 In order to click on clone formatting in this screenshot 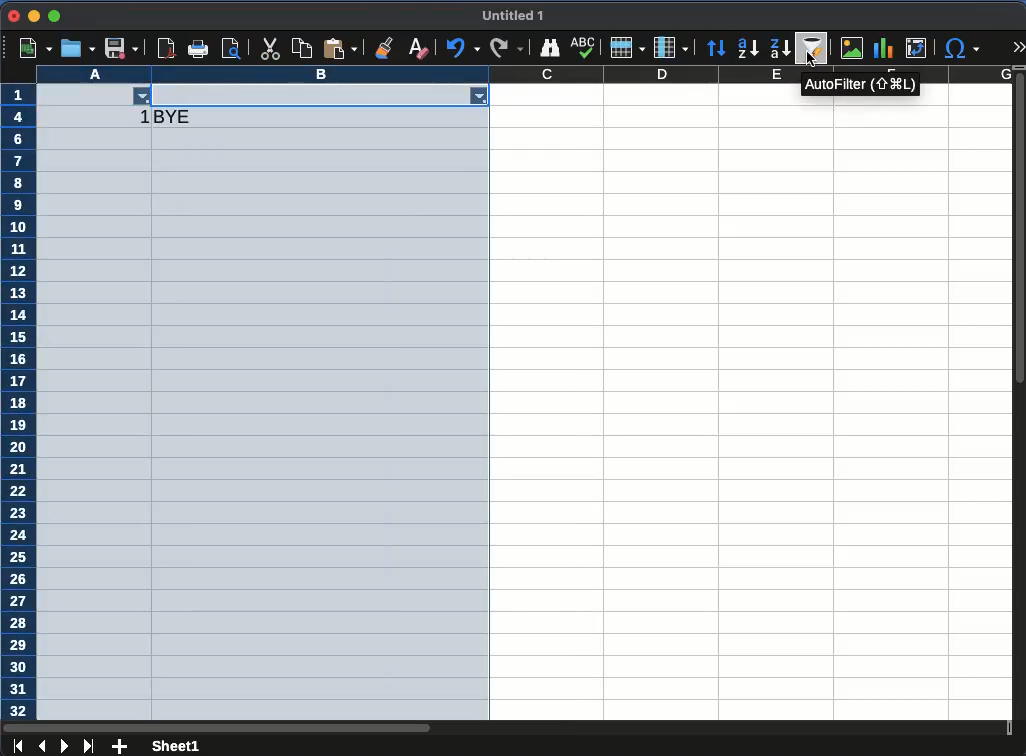, I will do `click(385, 47)`.